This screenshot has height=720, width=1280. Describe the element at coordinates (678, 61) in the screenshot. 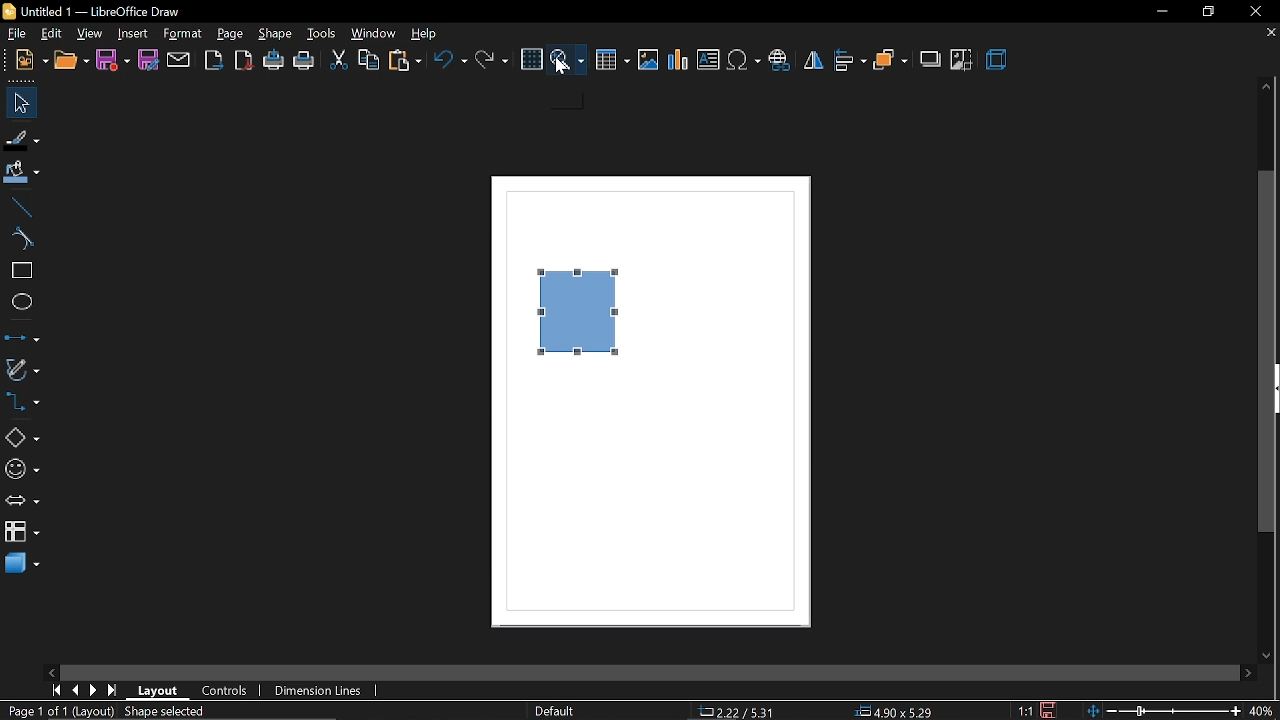

I see `Insert chart` at that location.